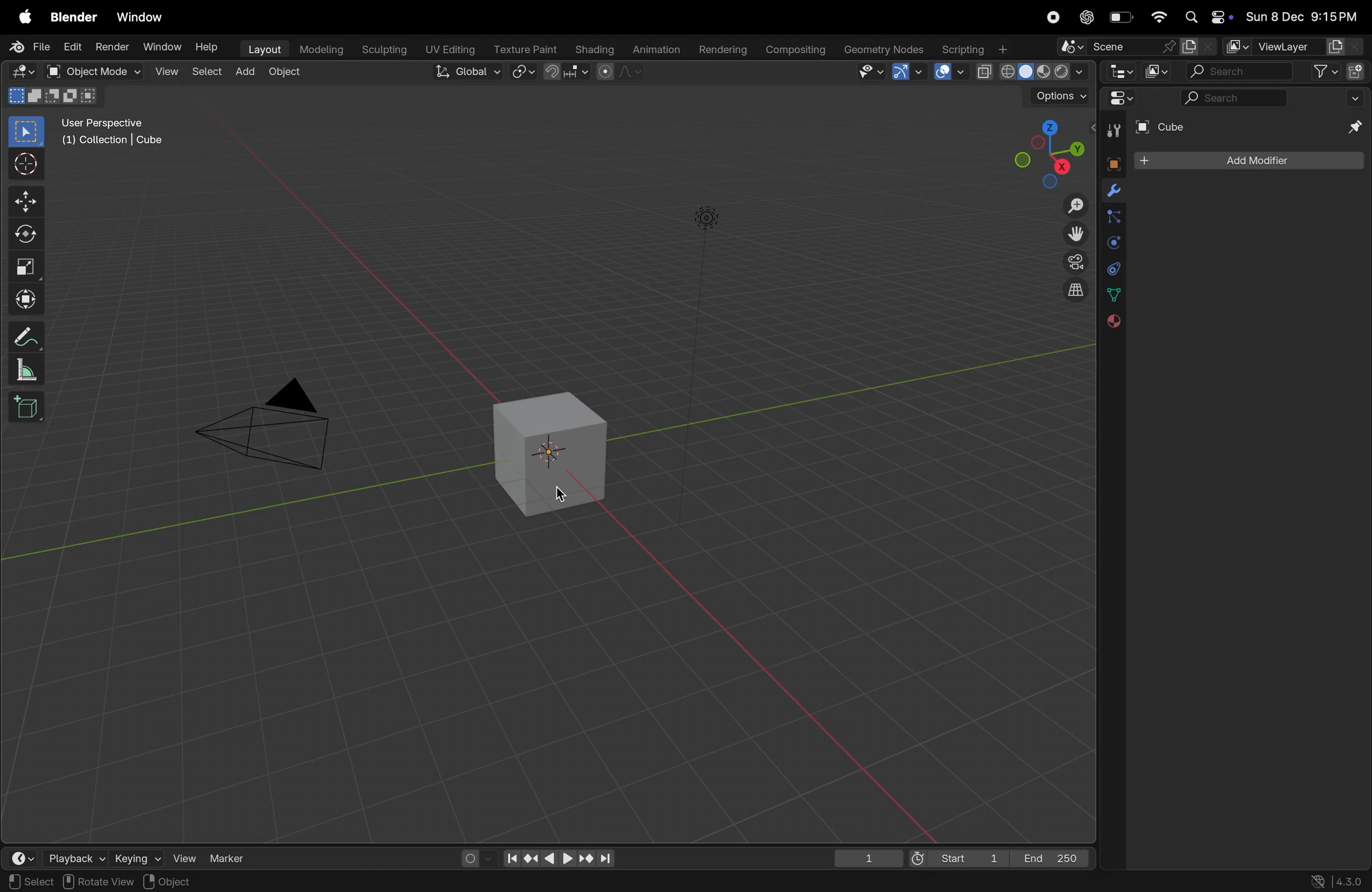 The image size is (1372, 892). Describe the element at coordinates (52, 96) in the screenshot. I see `modes` at that location.